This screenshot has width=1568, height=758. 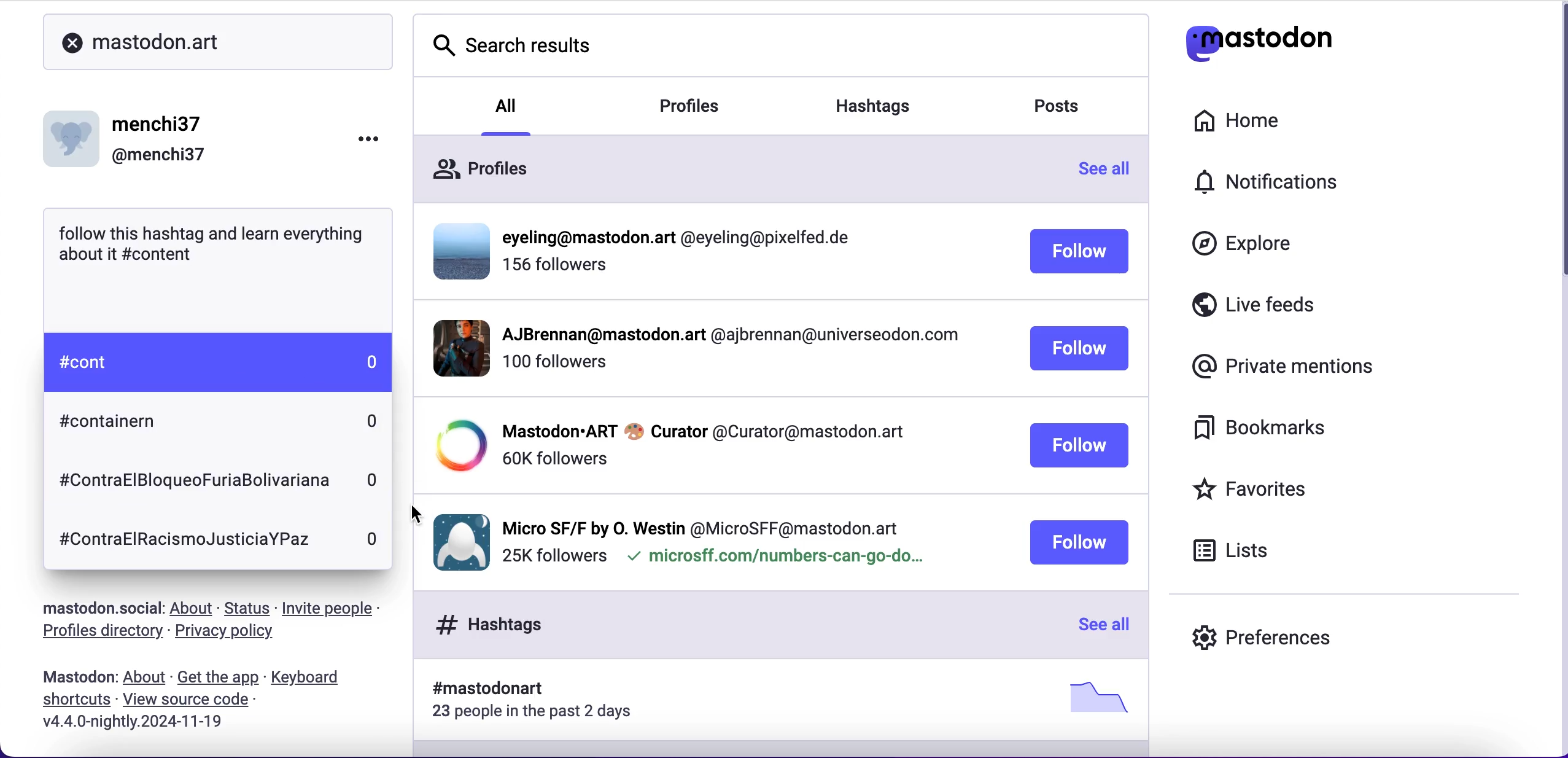 I want to click on options, so click(x=359, y=144).